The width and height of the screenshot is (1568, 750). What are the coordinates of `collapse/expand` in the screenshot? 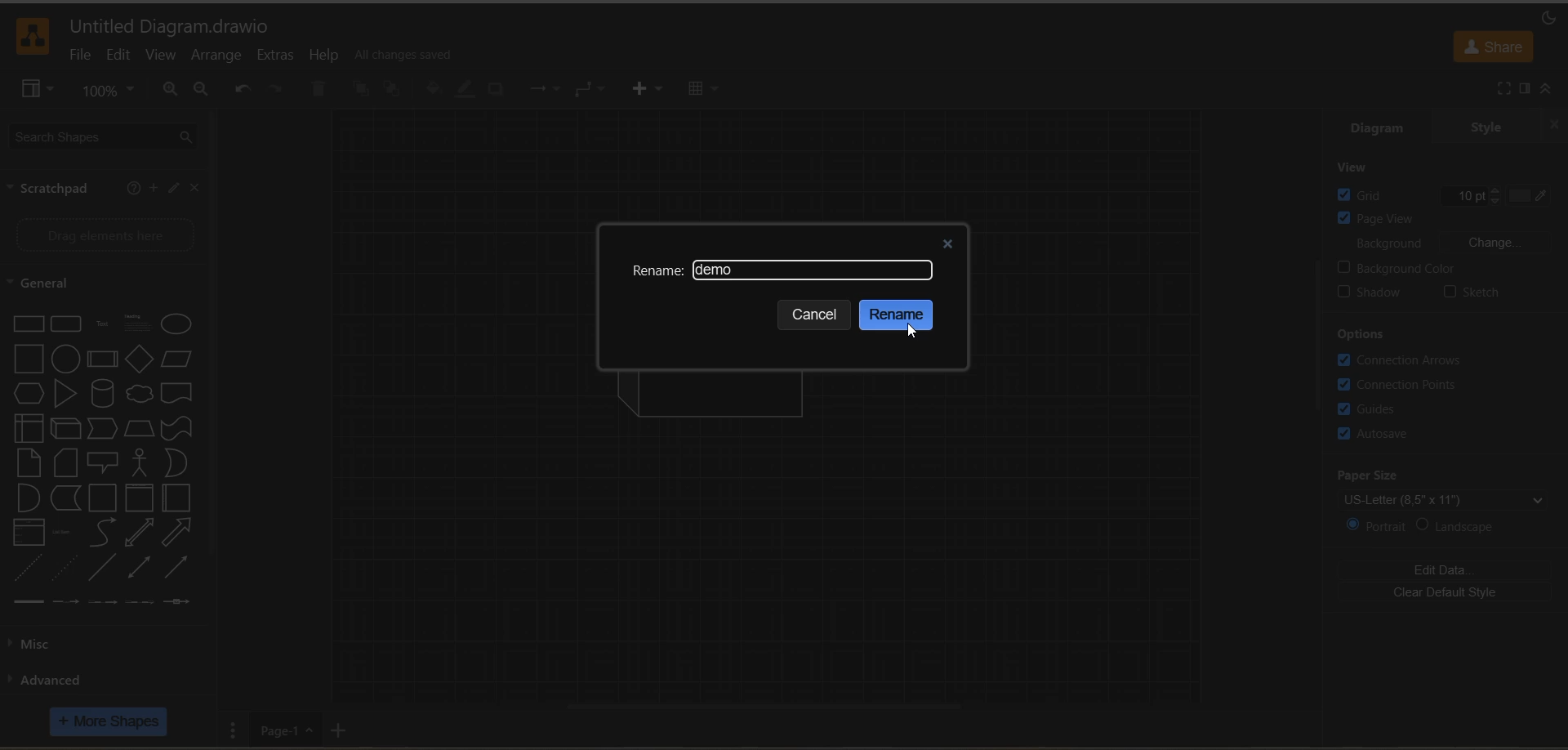 It's located at (1548, 88).